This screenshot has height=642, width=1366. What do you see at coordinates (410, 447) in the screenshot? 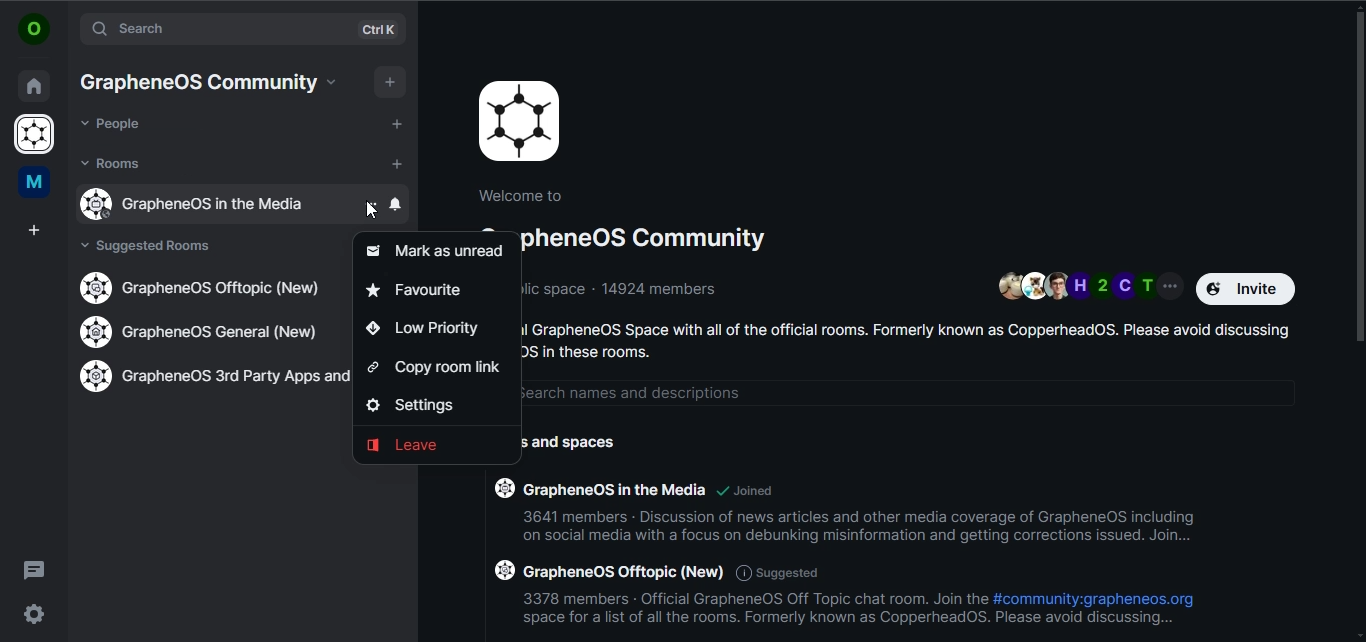
I see `leave` at bounding box center [410, 447].